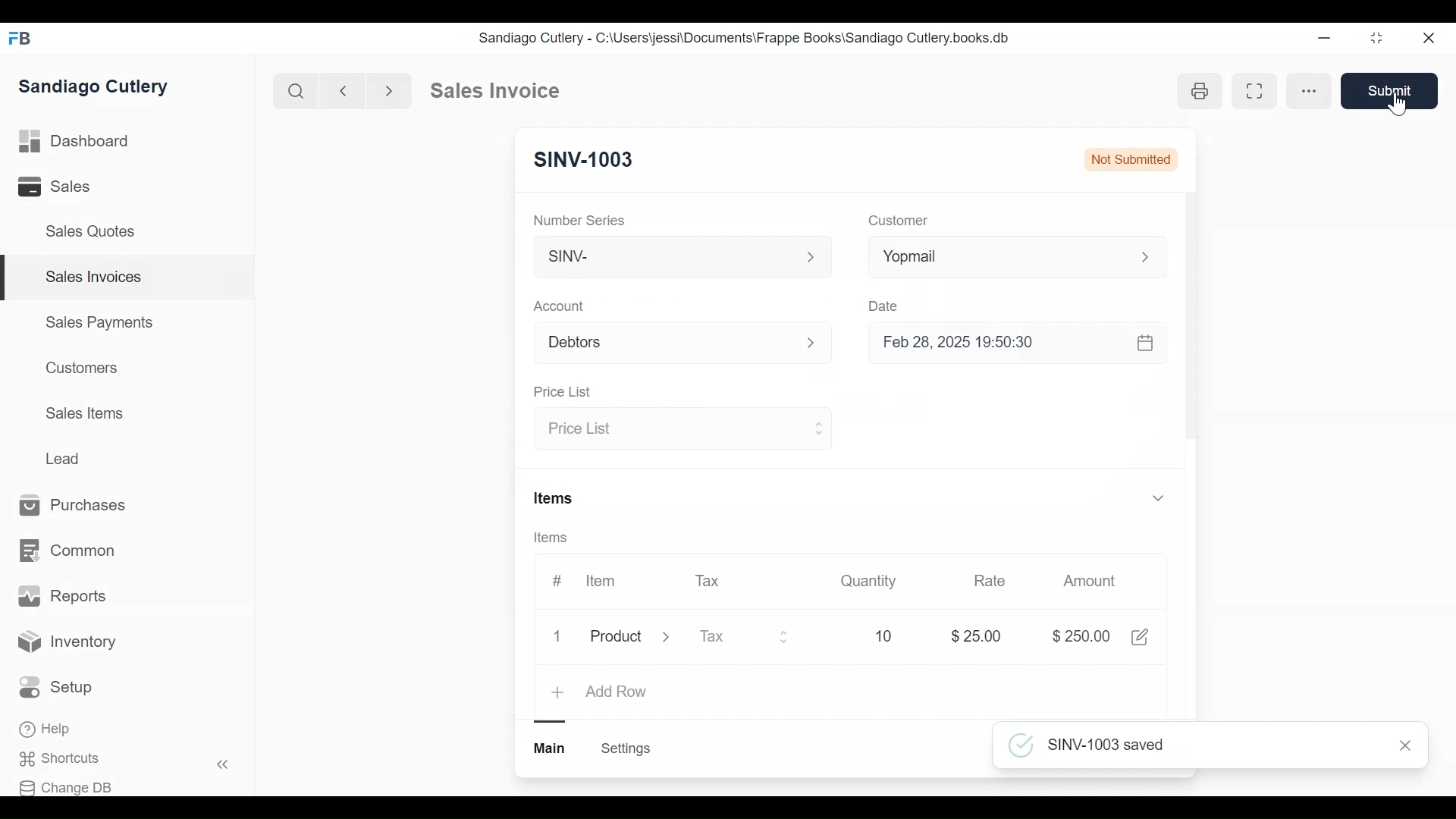 The image size is (1456, 819). Describe the element at coordinates (990, 581) in the screenshot. I see `Rate` at that location.